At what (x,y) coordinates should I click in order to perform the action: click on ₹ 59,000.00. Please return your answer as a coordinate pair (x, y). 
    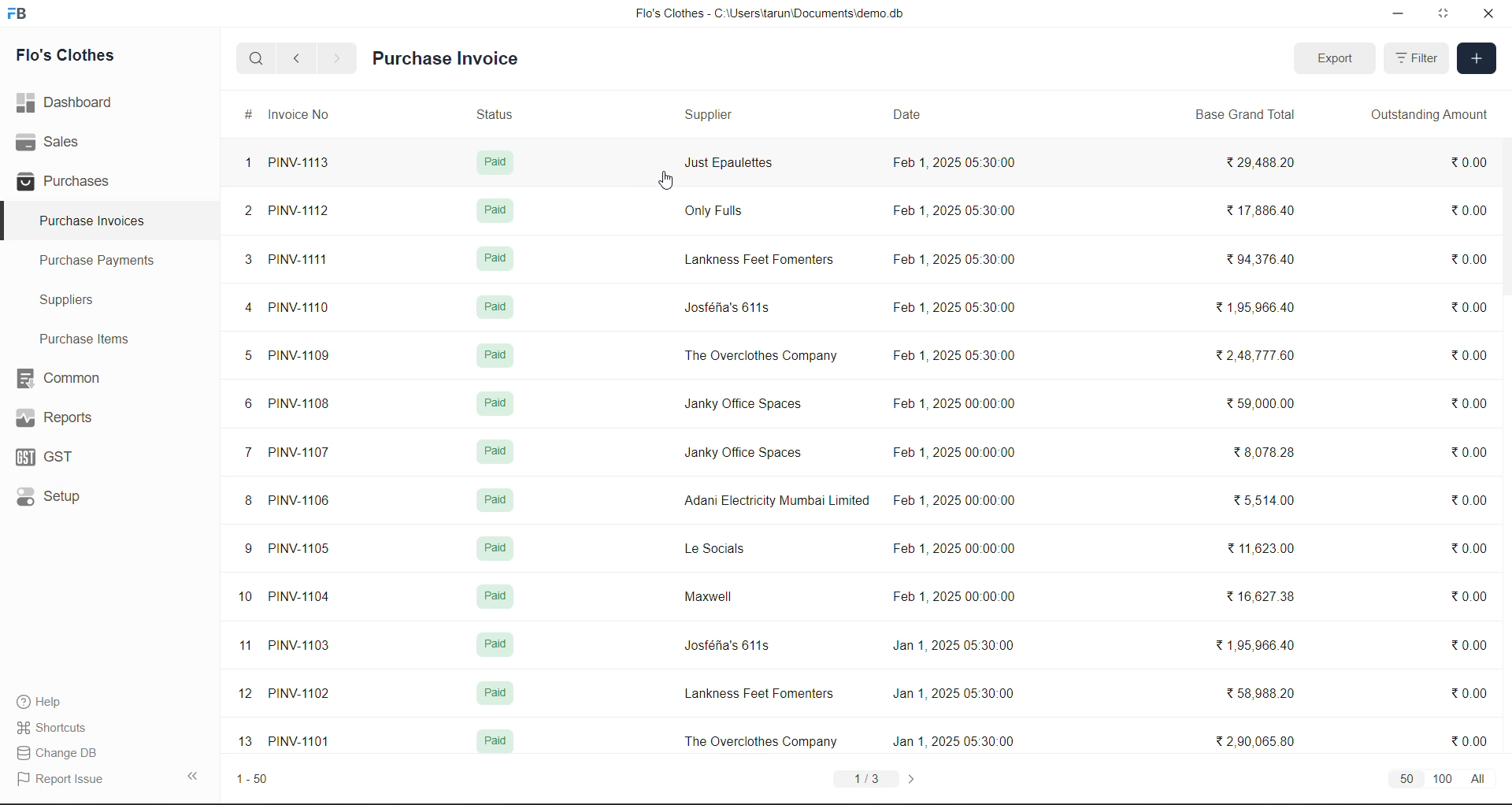
    Looking at the image, I should click on (1266, 406).